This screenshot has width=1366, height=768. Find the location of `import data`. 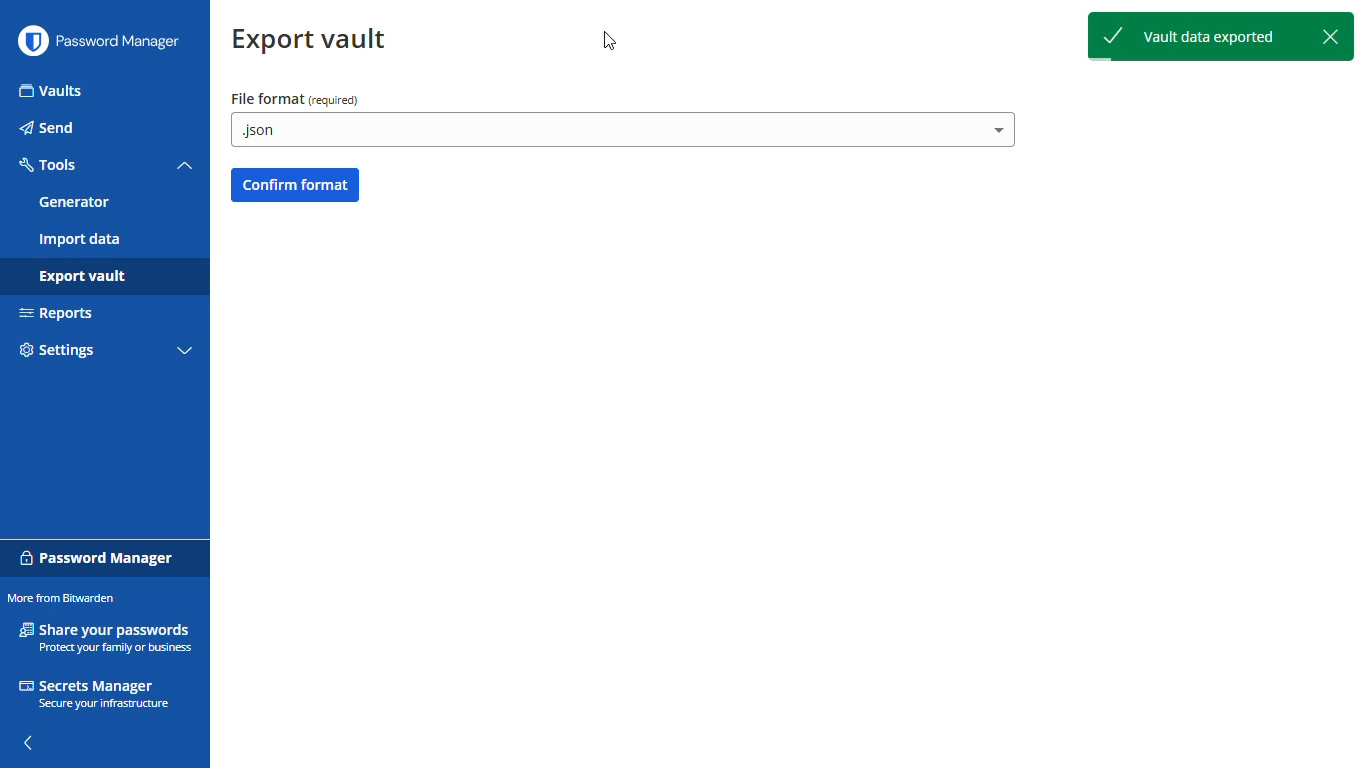

import data is located at coordinates (80, 240).